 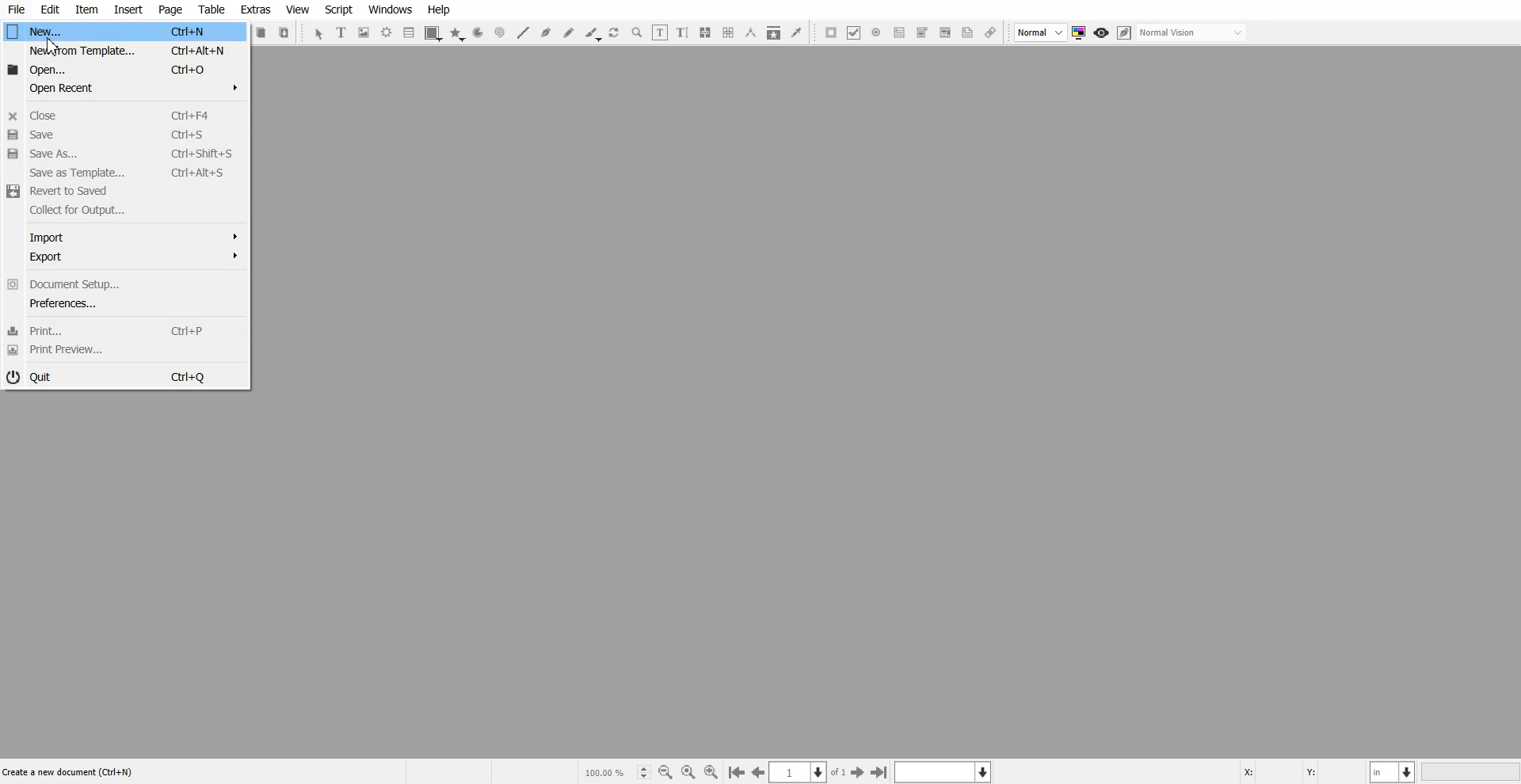 What do you see at coordinates (682, 32) in the screenshot?
I see `Edit Text` at bounding box center [682, 32].